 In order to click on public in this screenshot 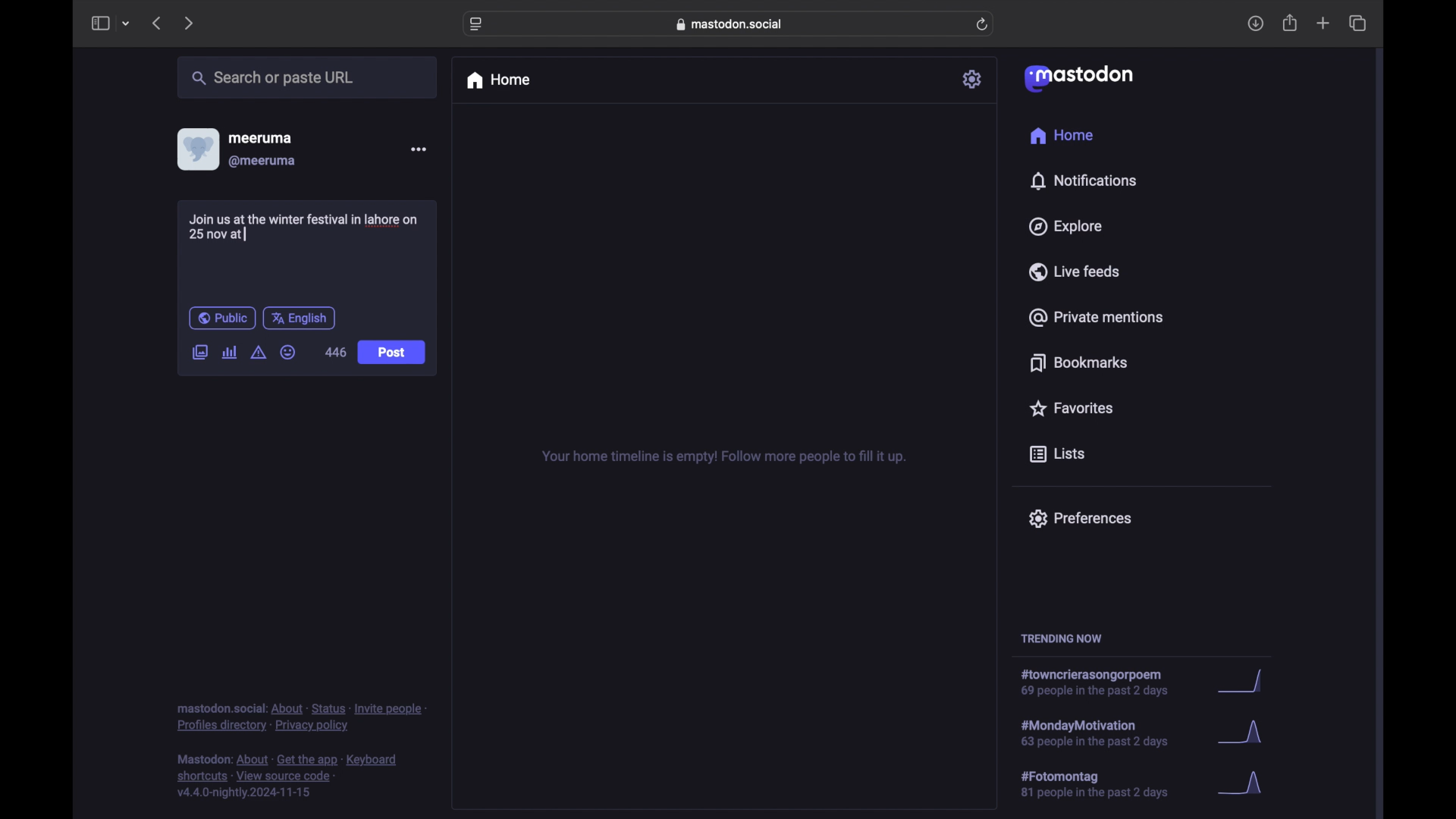, I will do `click(221, 318)`.